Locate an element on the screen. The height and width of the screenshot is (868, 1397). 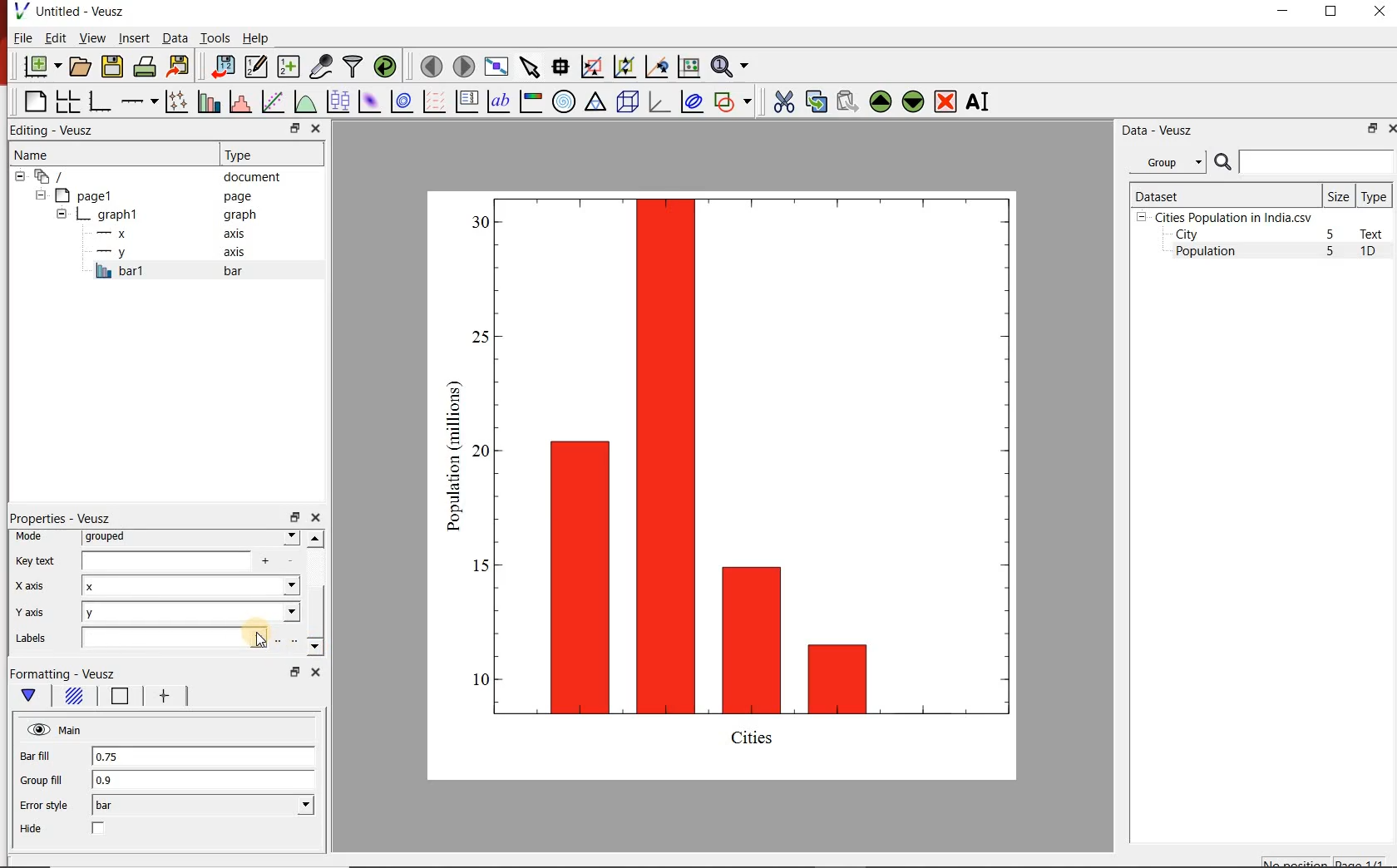
graph1 is located at coordinates (743, 481).